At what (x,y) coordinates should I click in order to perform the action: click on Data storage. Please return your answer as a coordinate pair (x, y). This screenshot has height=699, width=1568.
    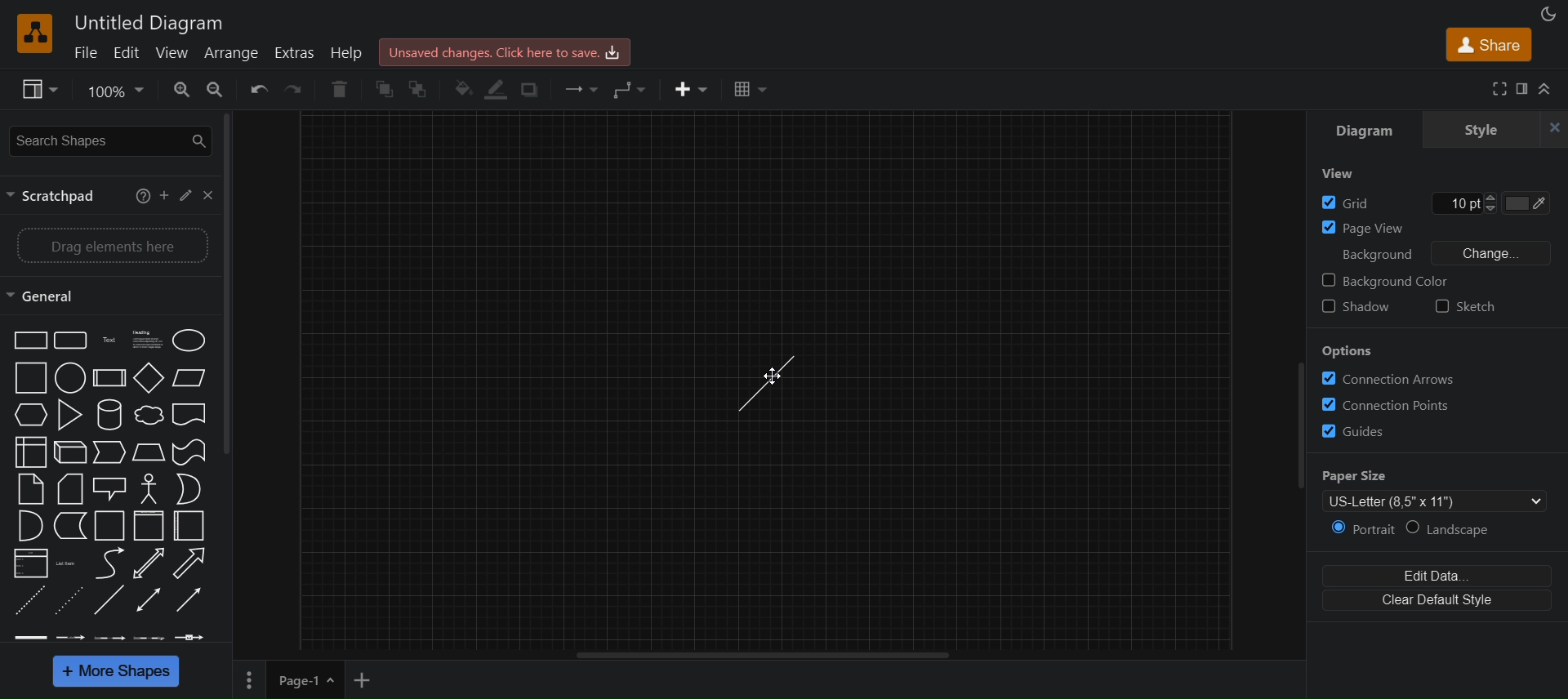
    Looking at the image, I should click on (68, 526).